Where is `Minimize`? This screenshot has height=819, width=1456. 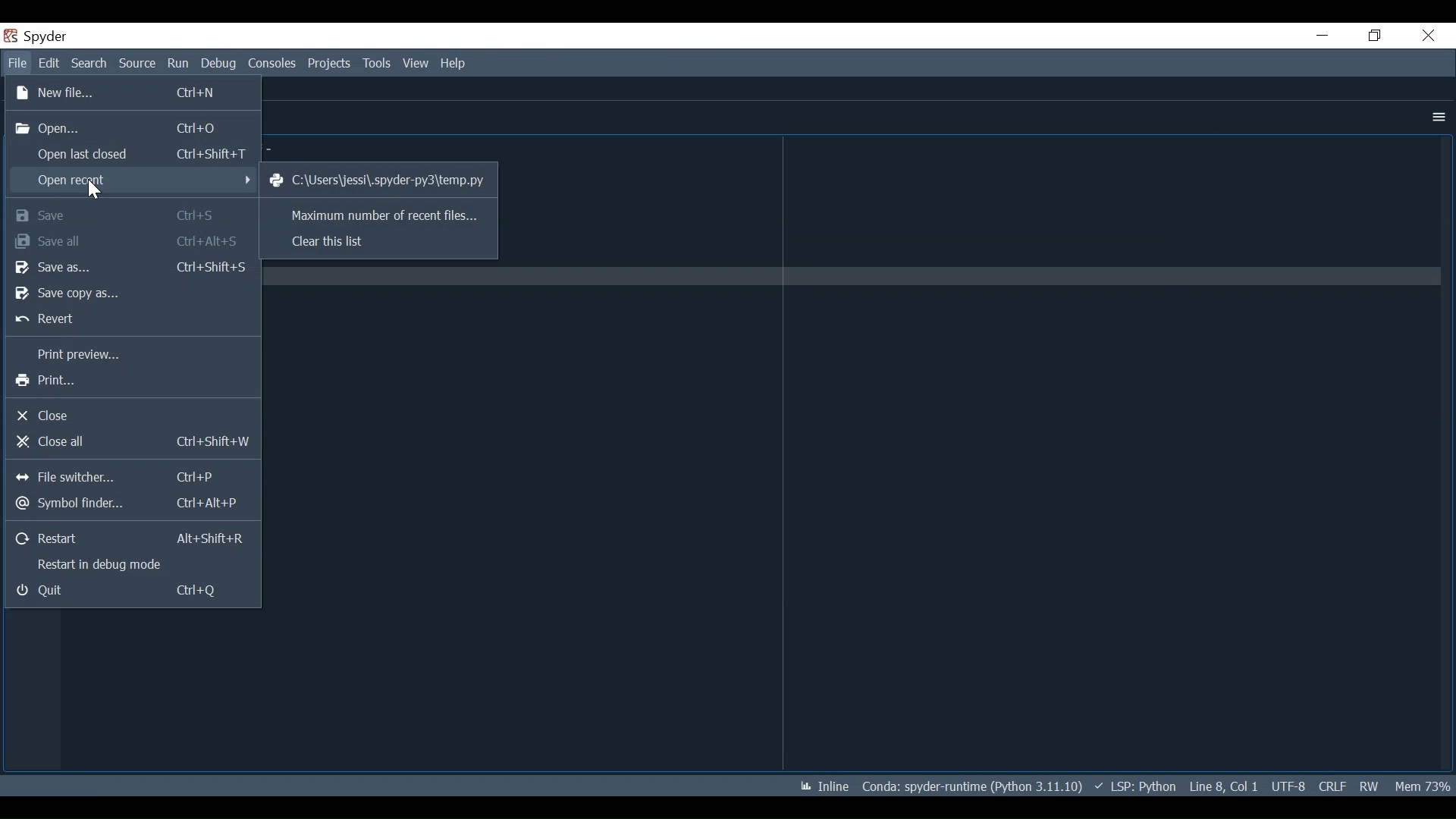
Minimize is located at coordinates (1322, 35).